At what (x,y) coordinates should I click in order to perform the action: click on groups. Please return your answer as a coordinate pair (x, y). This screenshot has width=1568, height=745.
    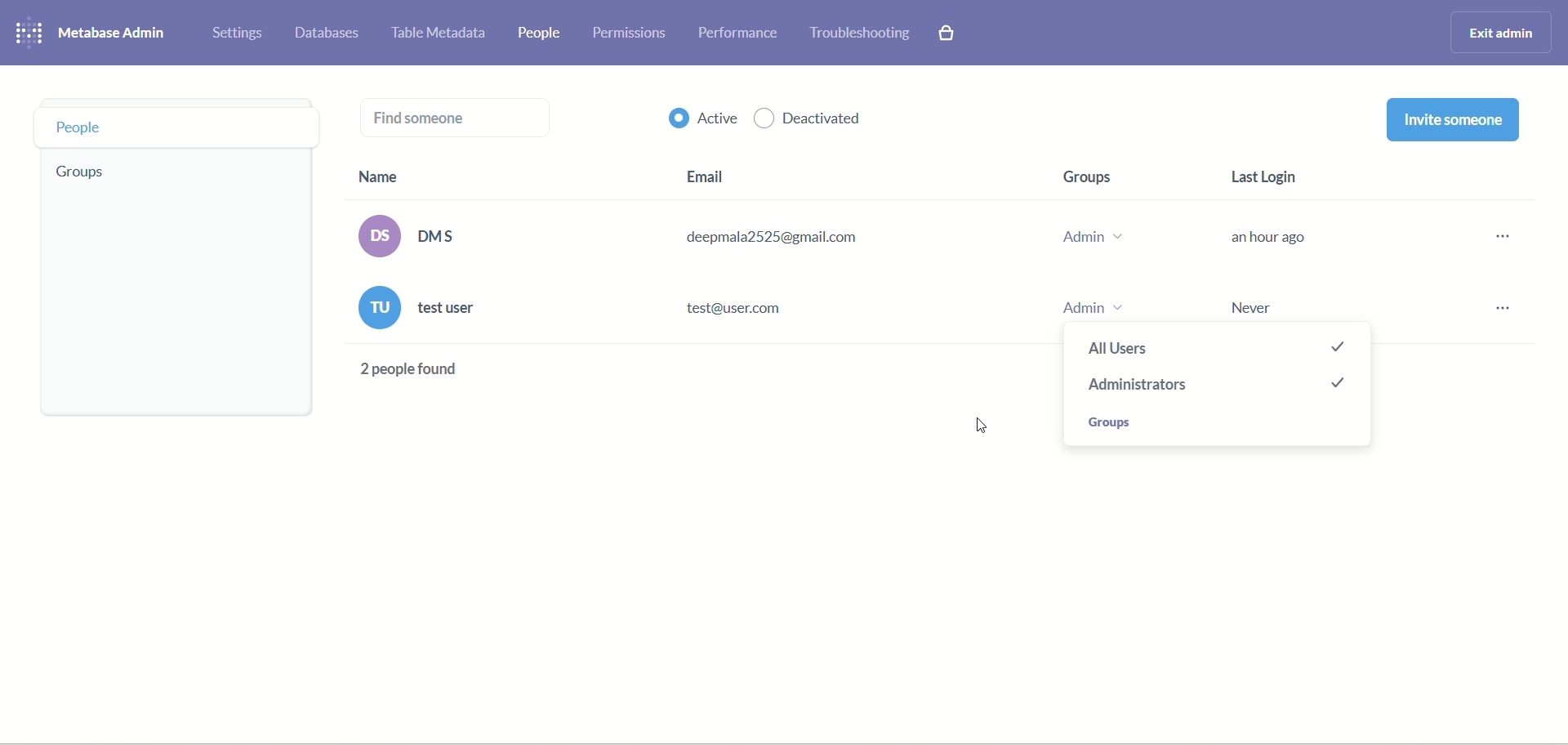
    Looking at the image, I should click on (86, 173).